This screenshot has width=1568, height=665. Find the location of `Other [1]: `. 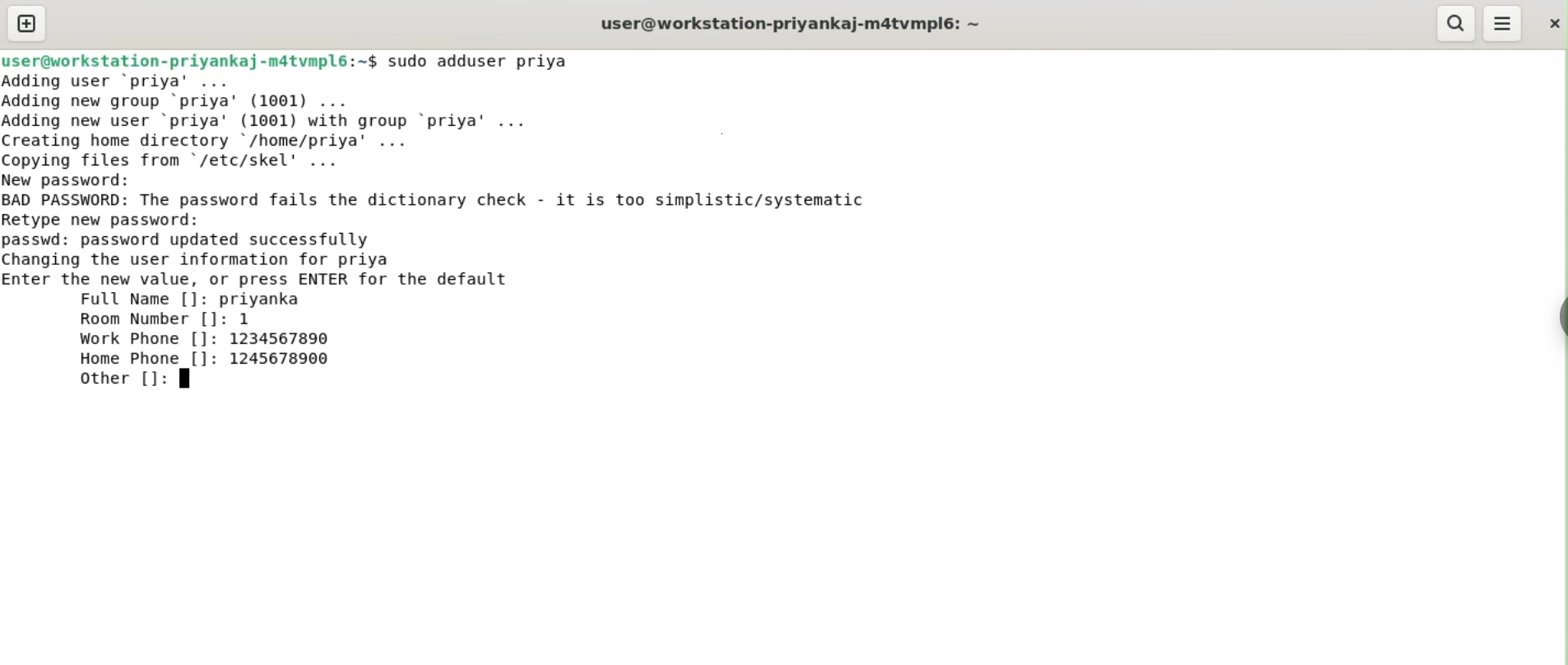

Other [1]:  is located at coordinates (130, 378).